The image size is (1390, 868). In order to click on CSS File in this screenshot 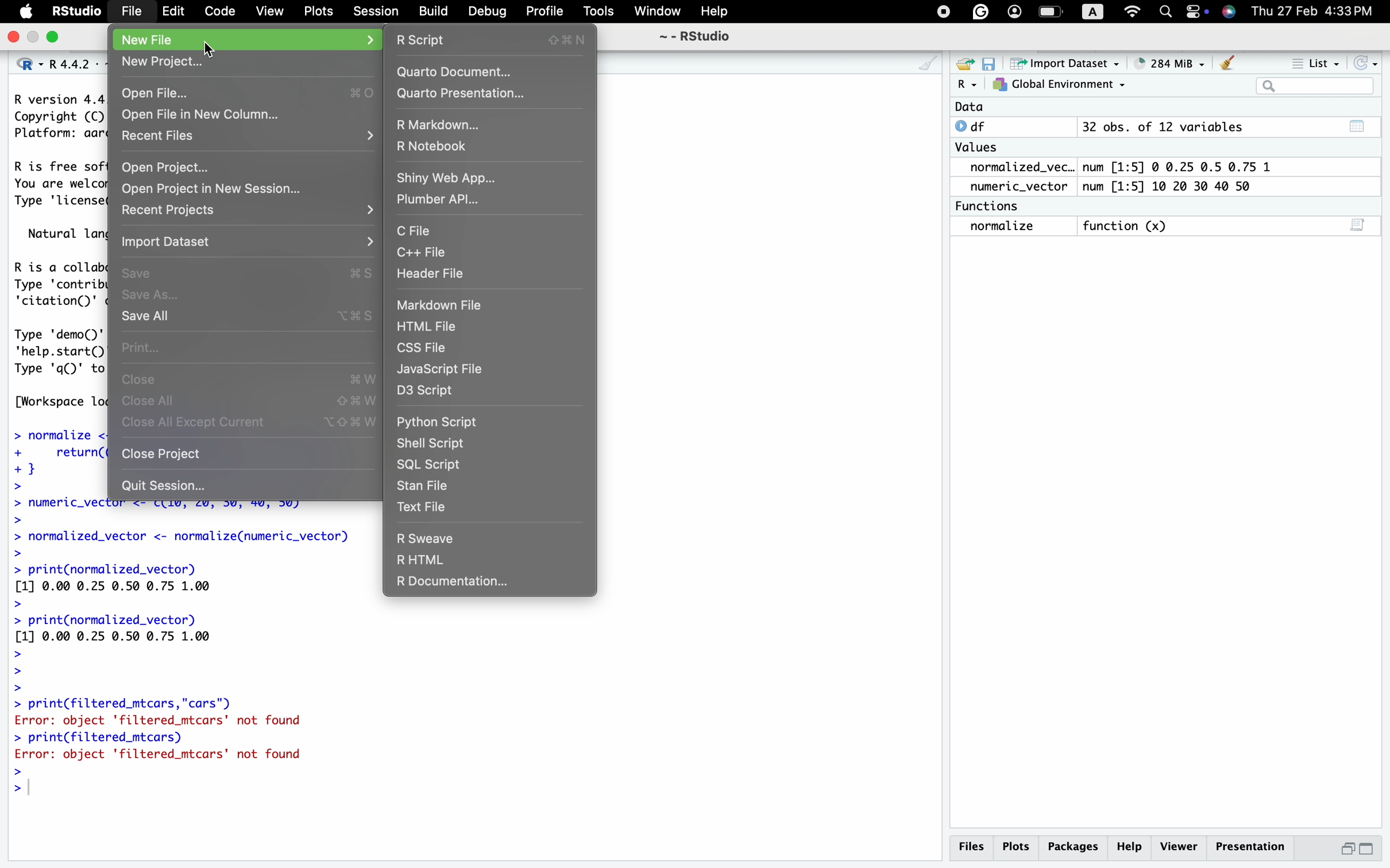, I will do `click(428, 350)`.